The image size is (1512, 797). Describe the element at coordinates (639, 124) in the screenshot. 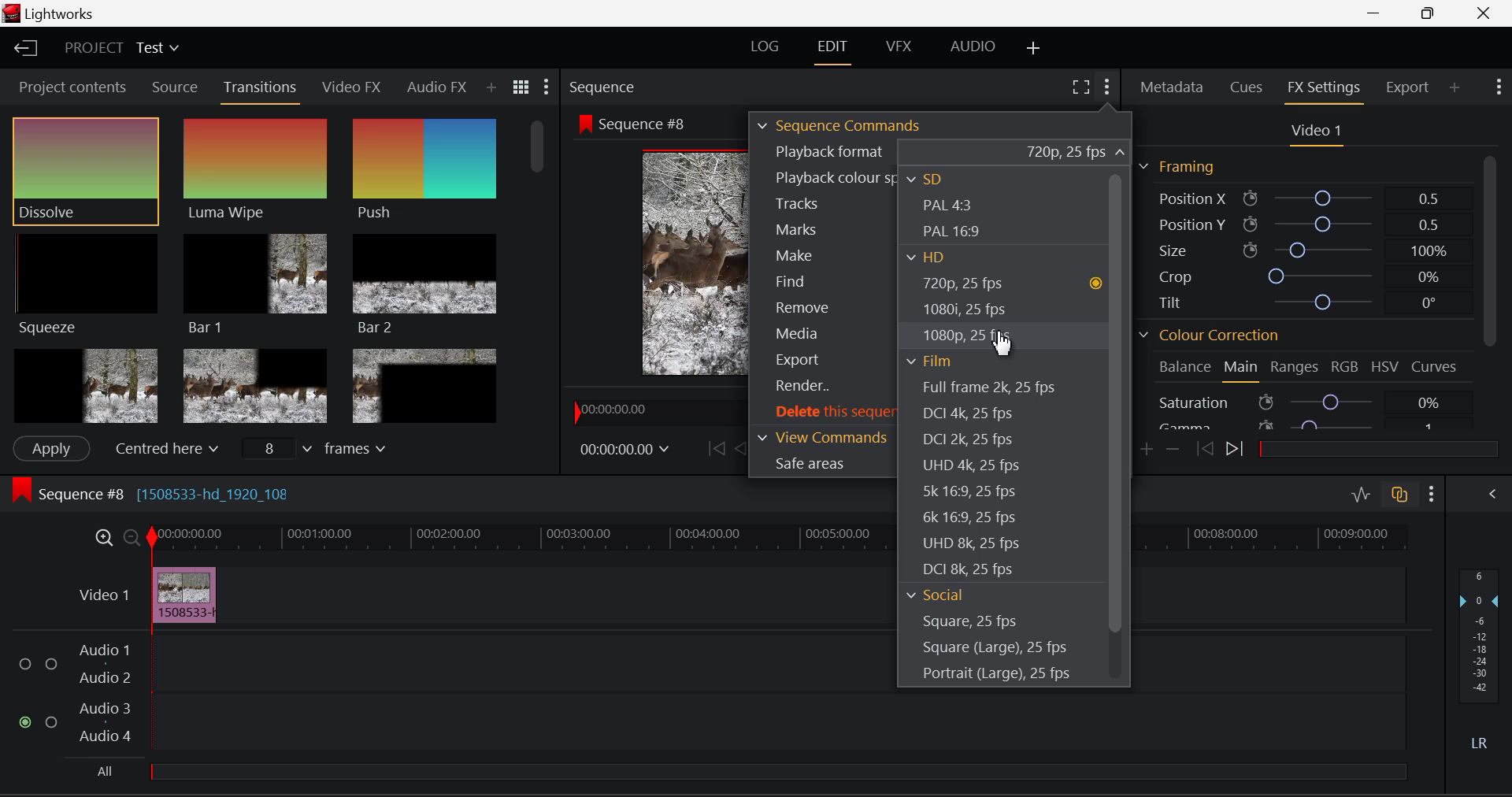

I see `Sequence #8` at that location.